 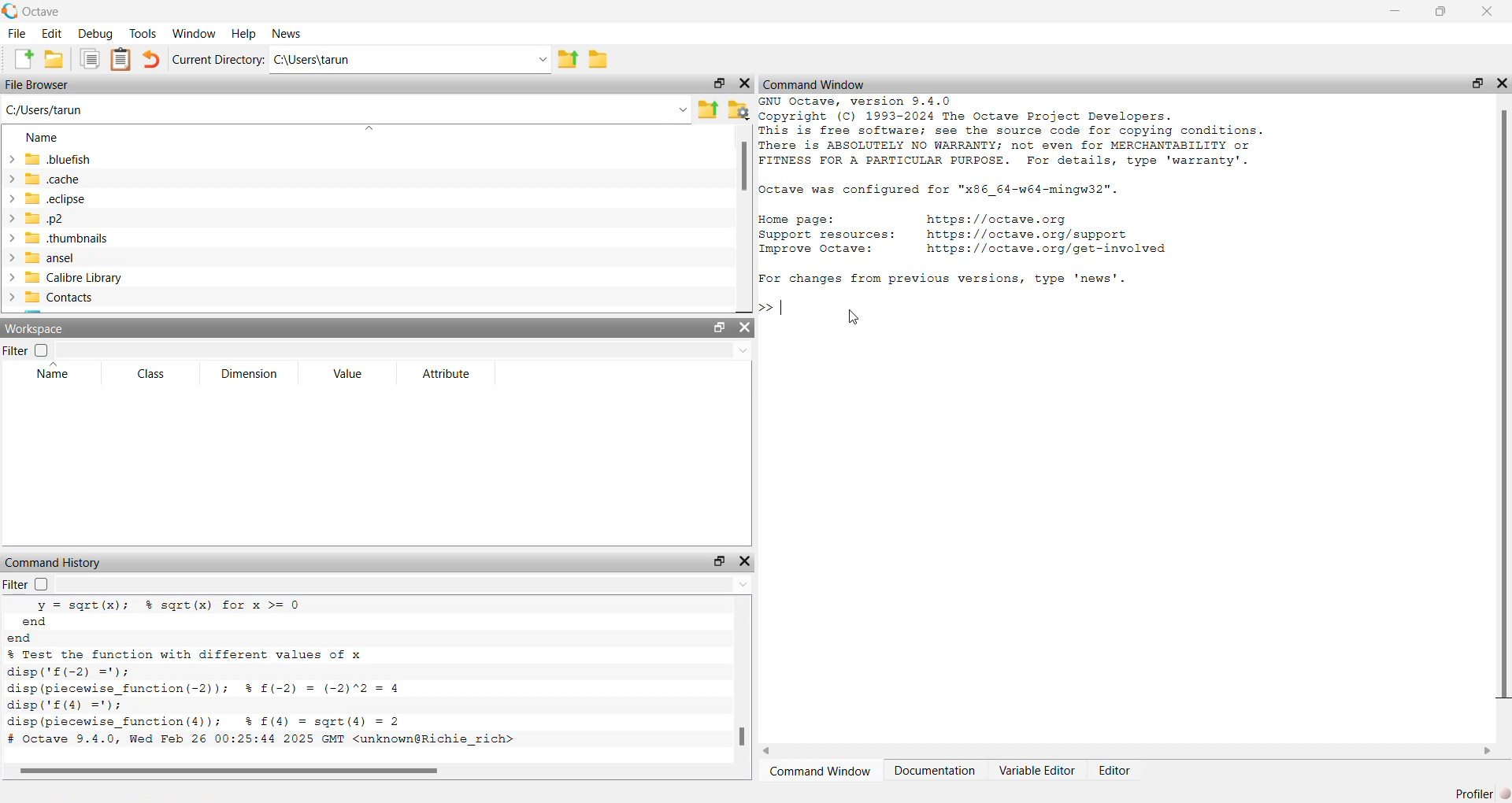 What do you see at coordinates (737, 109) in the screenshot?
I see `Browse your files` at bounding box center [737, 109].